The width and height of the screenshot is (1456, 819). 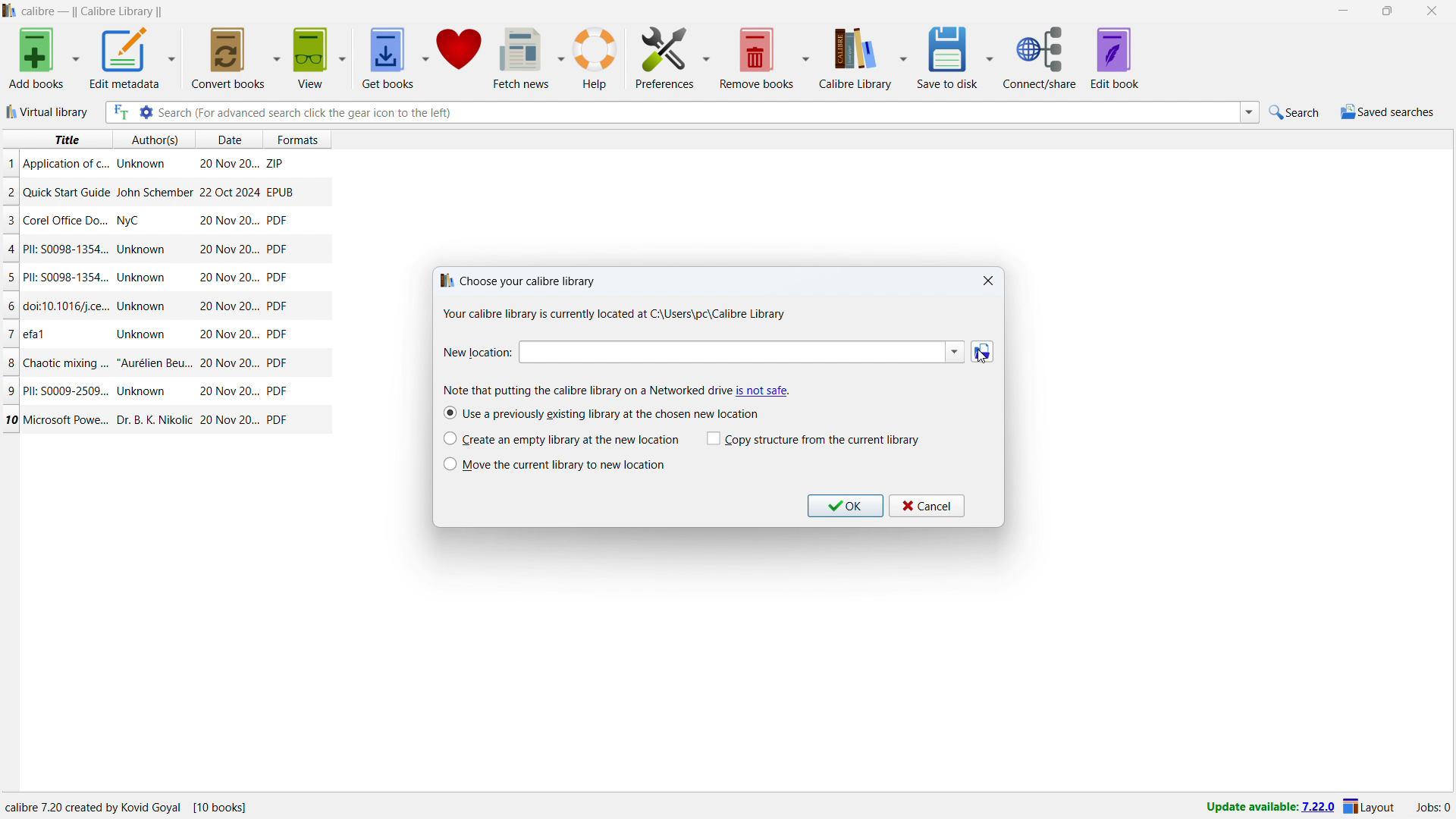 What do you see at coordinates (1433, 808) in the screenshot?
I see `active jobs` at bounding box center [1433, 808].